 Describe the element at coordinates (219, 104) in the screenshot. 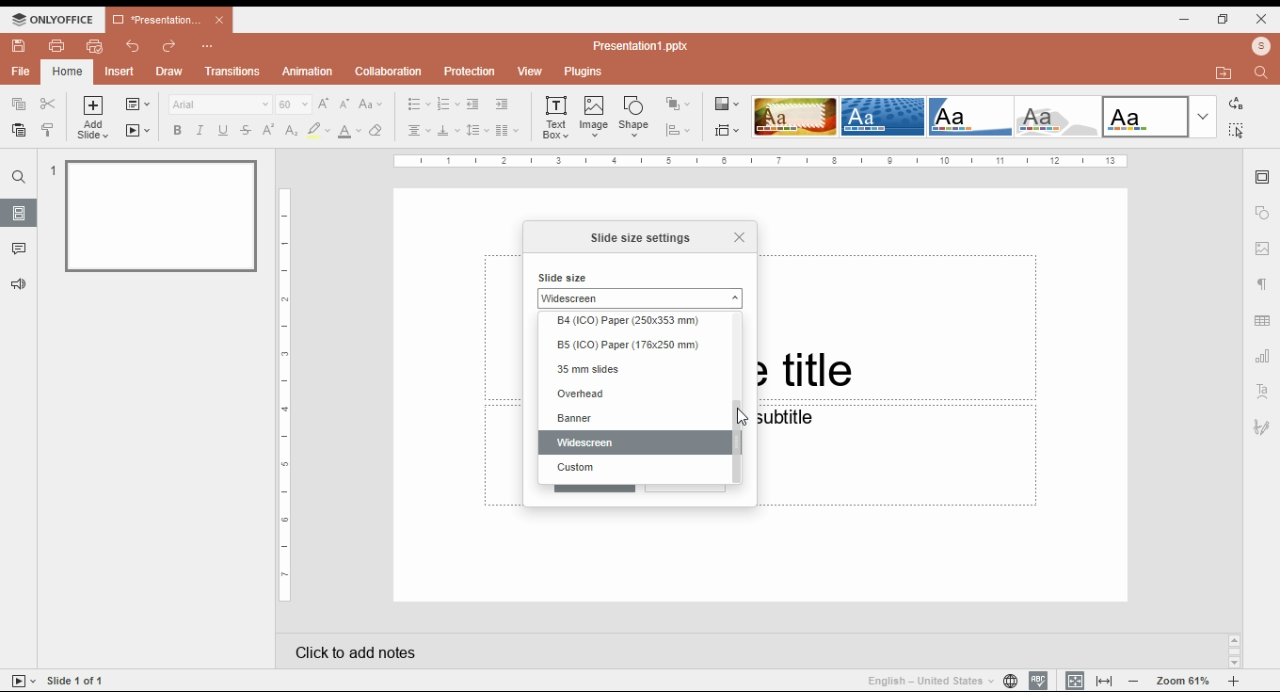

I see `Arial` at that location.